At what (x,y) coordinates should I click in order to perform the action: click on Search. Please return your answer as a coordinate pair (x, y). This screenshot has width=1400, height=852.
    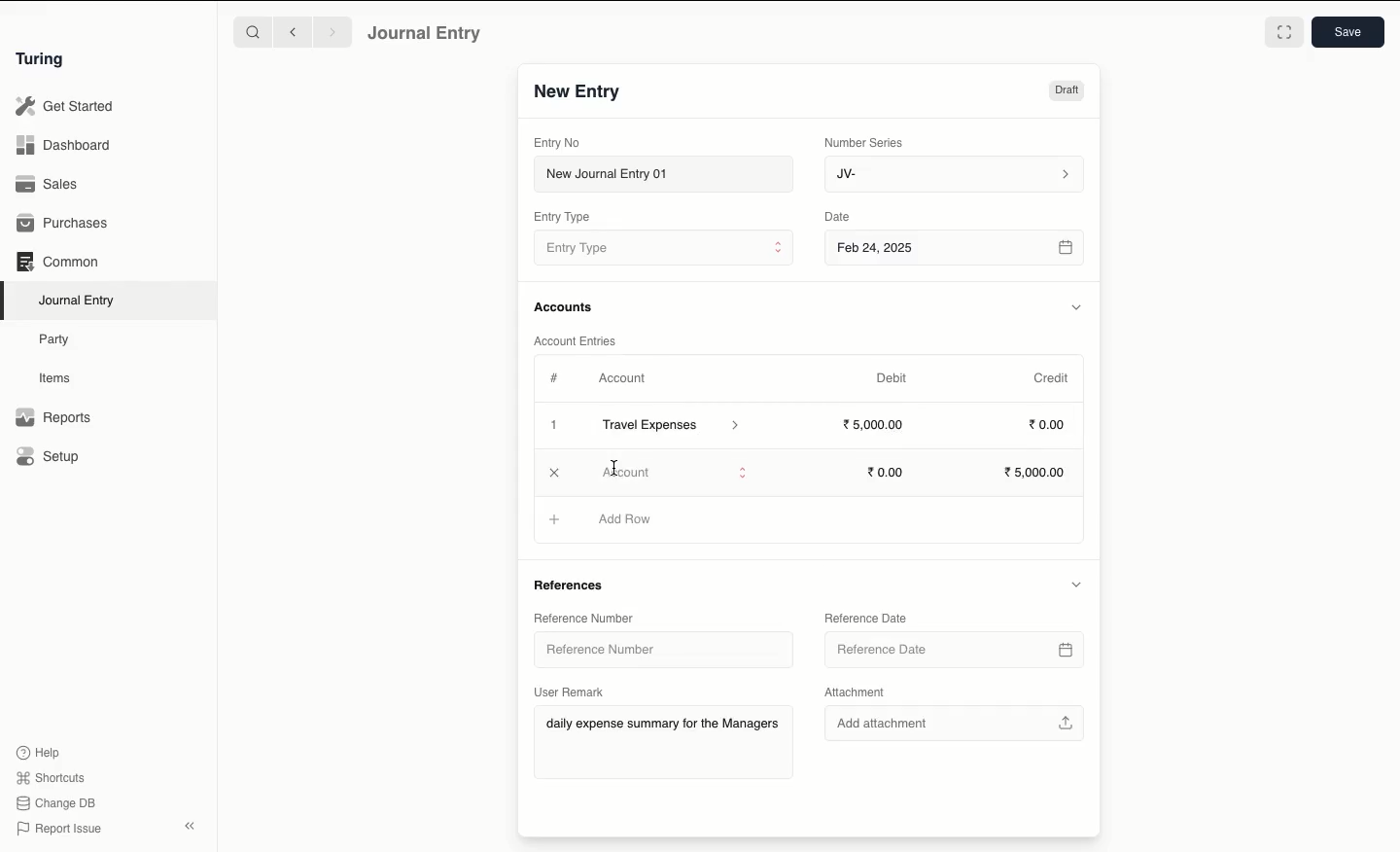
    Looking at the image, I should click on (252, 31).